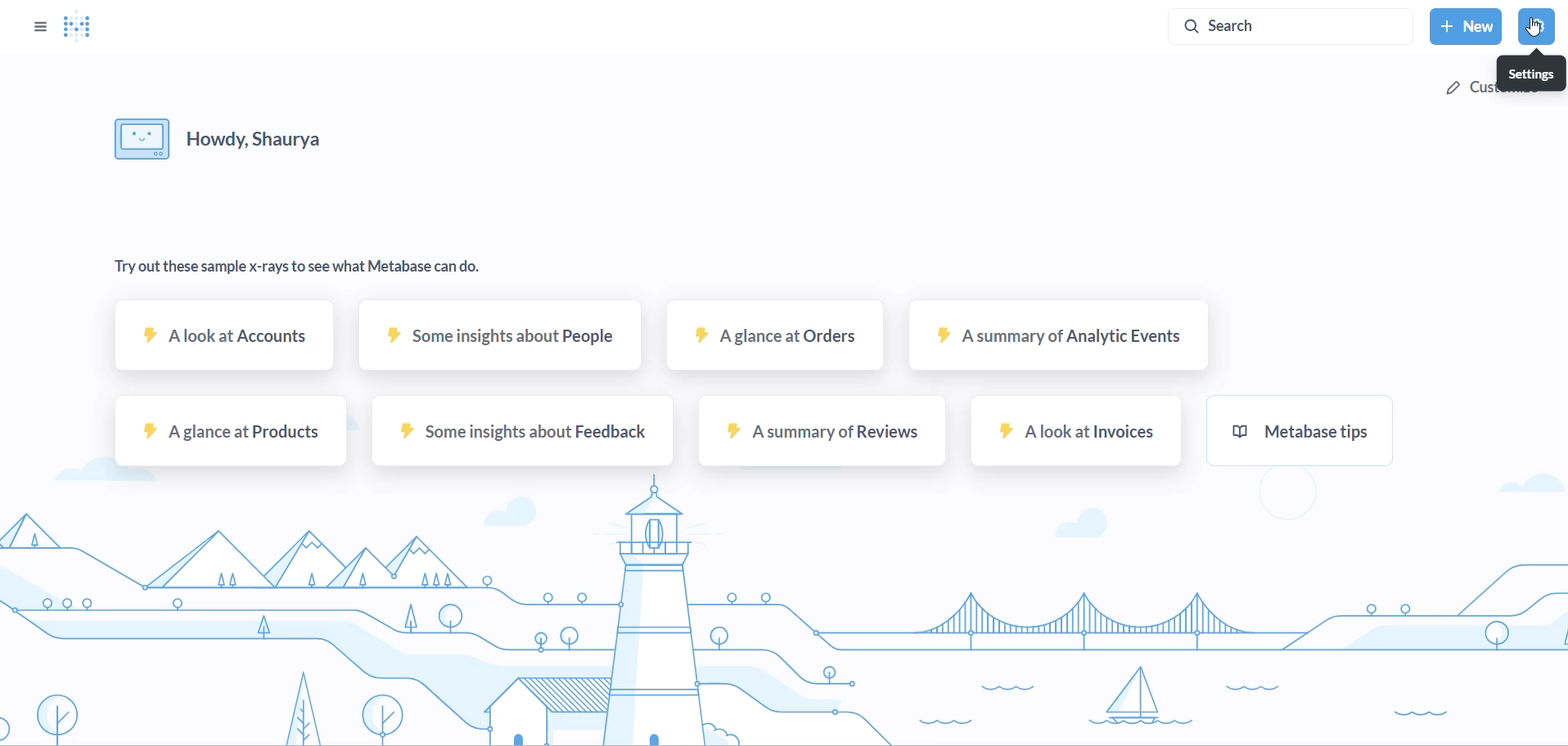 This screenshot has height=746, width=1568. I want to click on A glance at products sample, so click(210, 429).